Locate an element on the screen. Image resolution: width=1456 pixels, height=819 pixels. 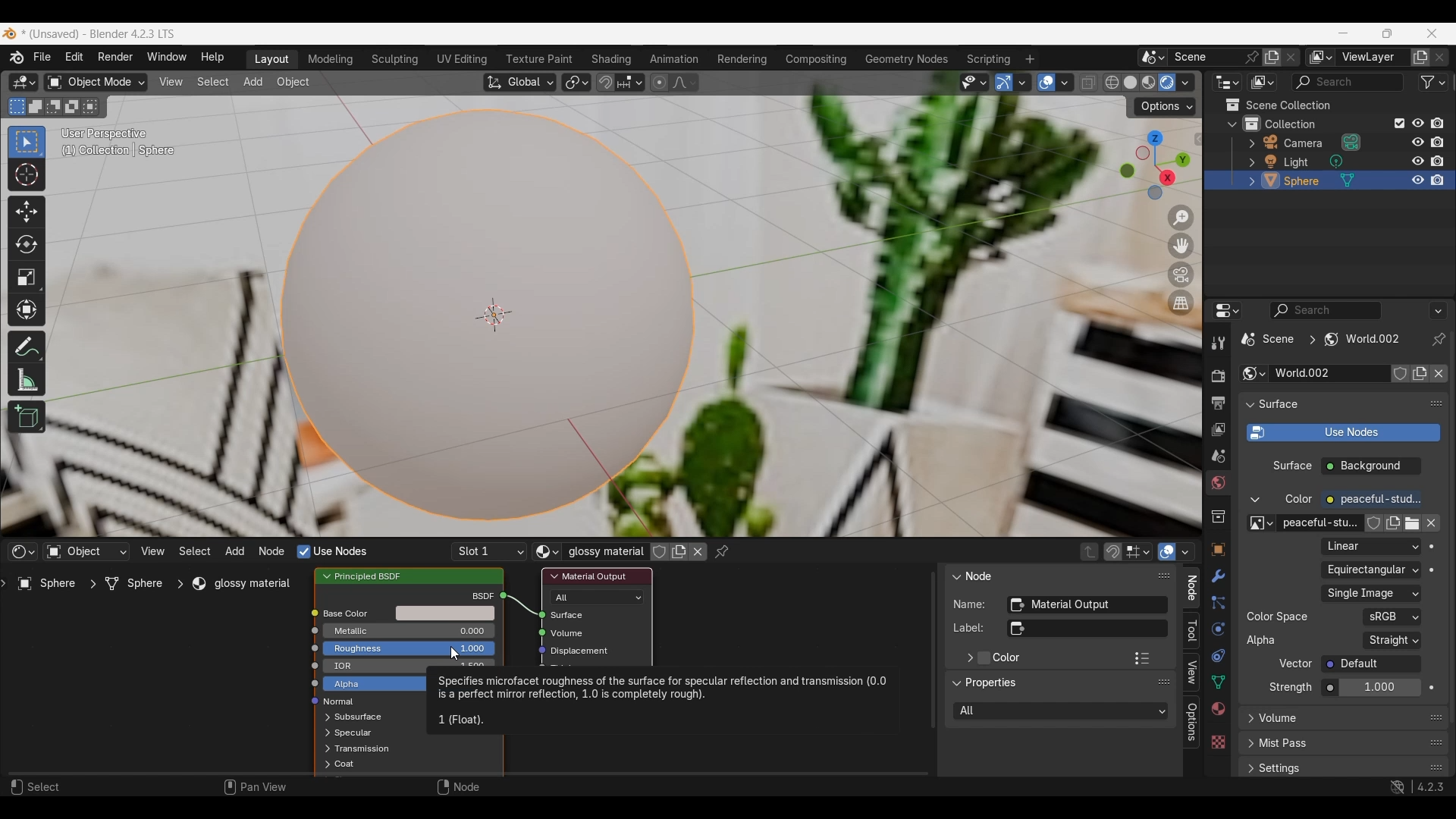
Viewport shading: solid is located at coordinates (1130, 82).